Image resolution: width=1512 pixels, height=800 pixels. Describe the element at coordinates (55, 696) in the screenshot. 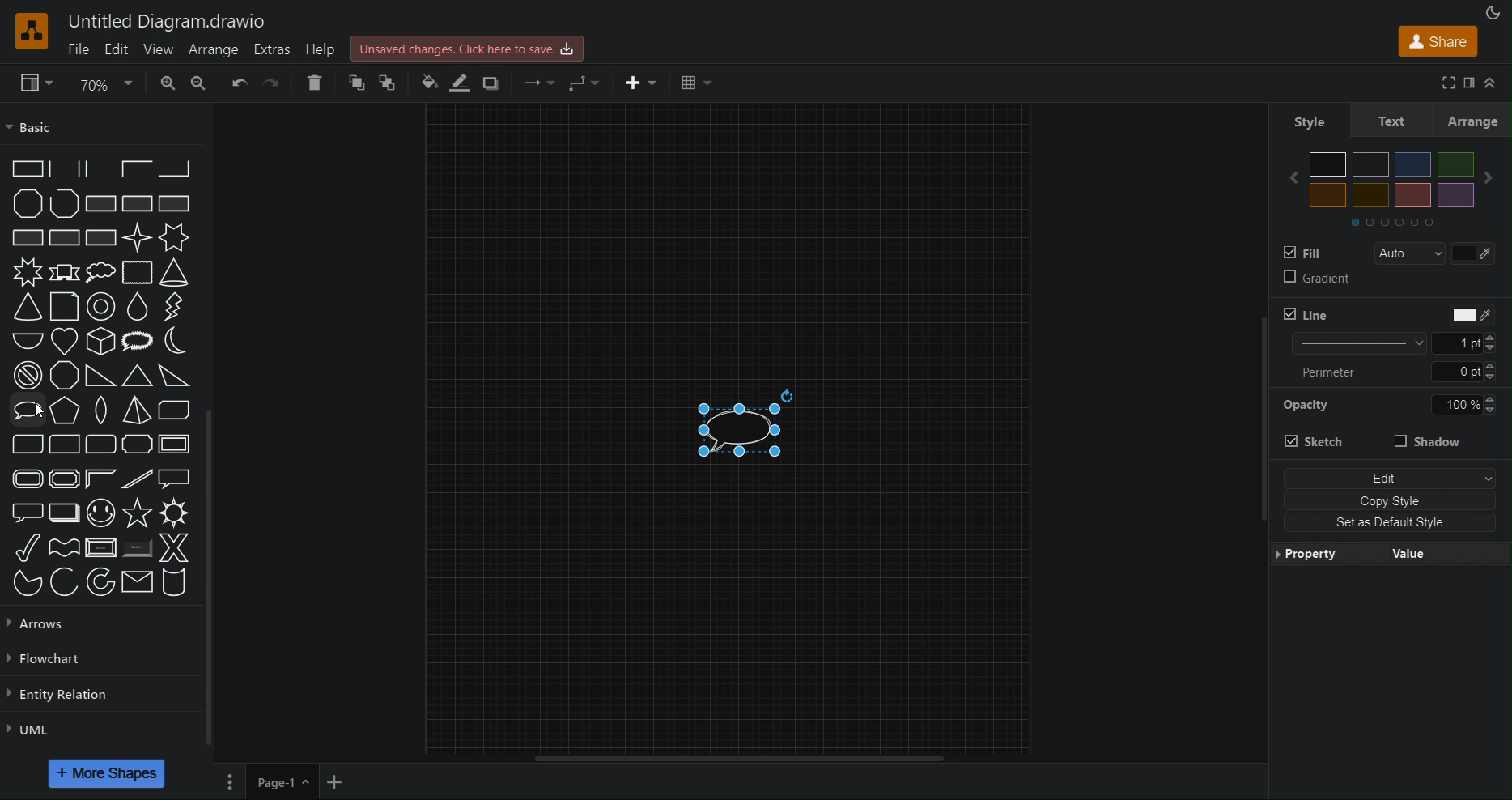

I see `Entity Relation` at that location.